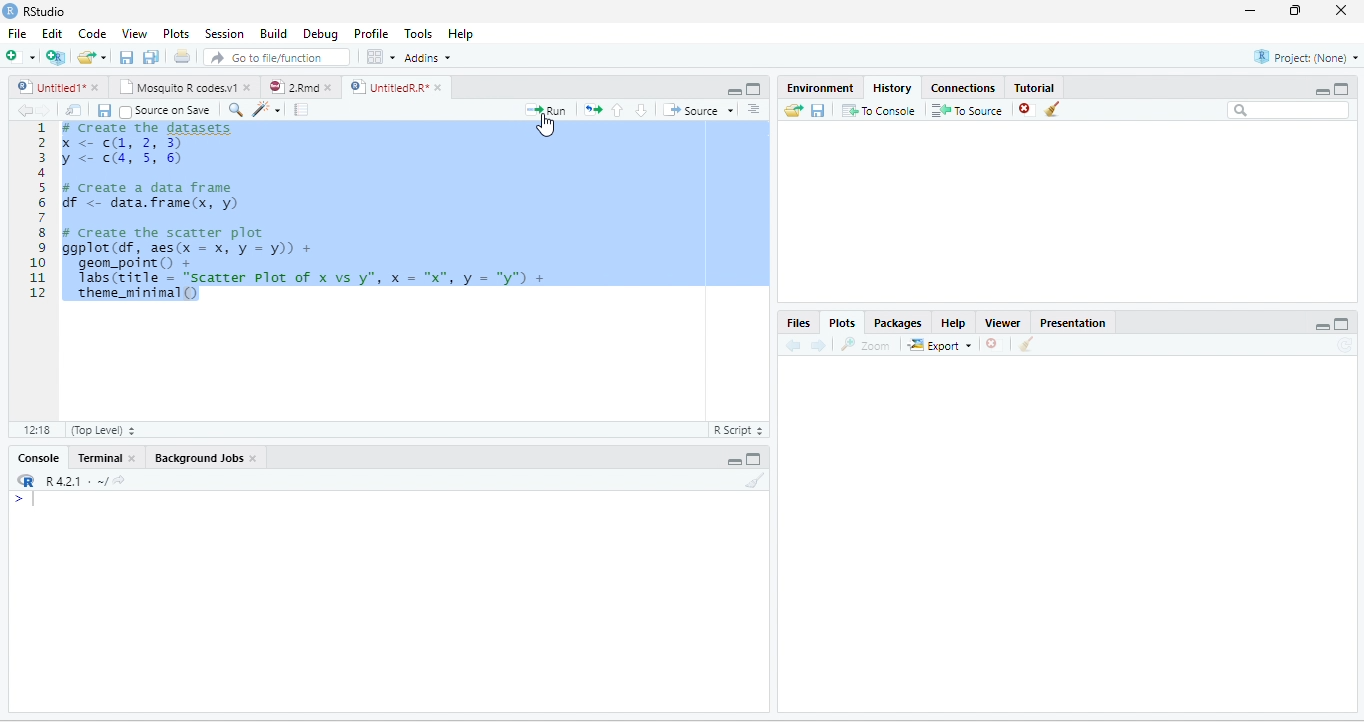  Describe the element at coordinates (1343, 323) in the screenshot. I see `Maximize` at that location.